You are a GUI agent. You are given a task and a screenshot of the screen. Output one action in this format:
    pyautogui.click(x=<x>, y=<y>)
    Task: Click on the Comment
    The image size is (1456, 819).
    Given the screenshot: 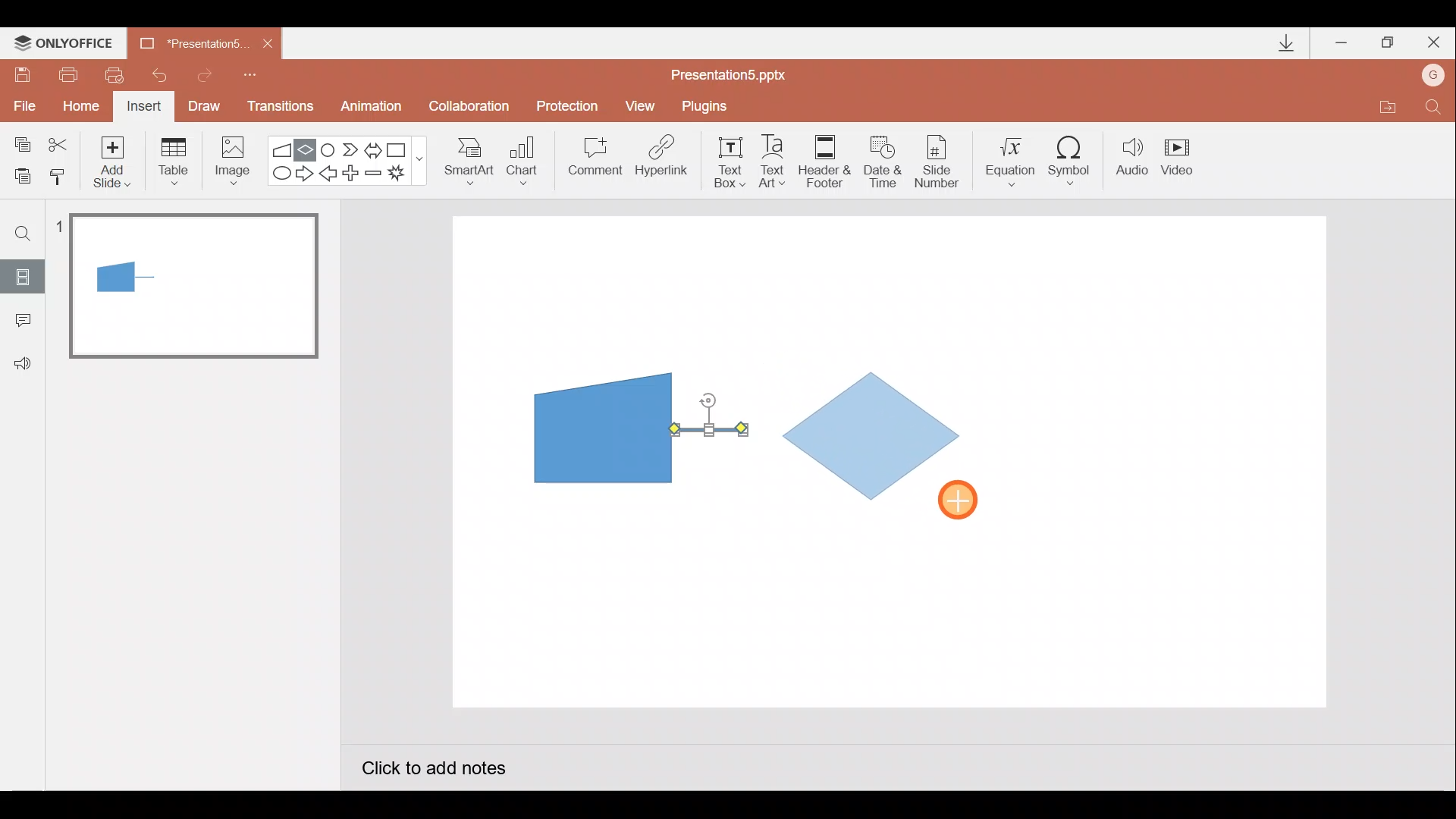 What is the action you would take?
    pyautogui.click(x=593, y=162)
    